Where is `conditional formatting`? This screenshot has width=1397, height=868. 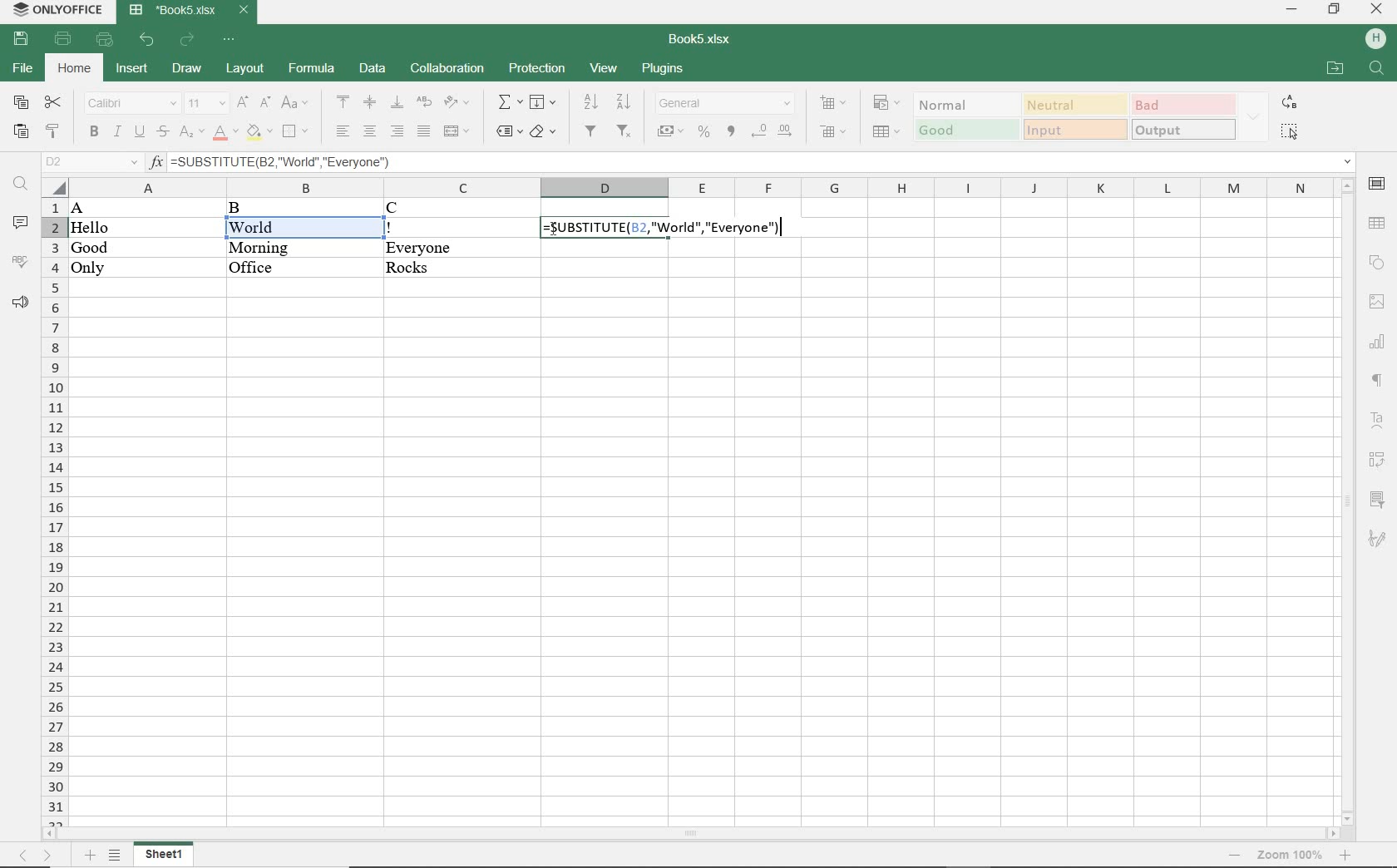 conditional formatting is located at coordinates (883, 102).